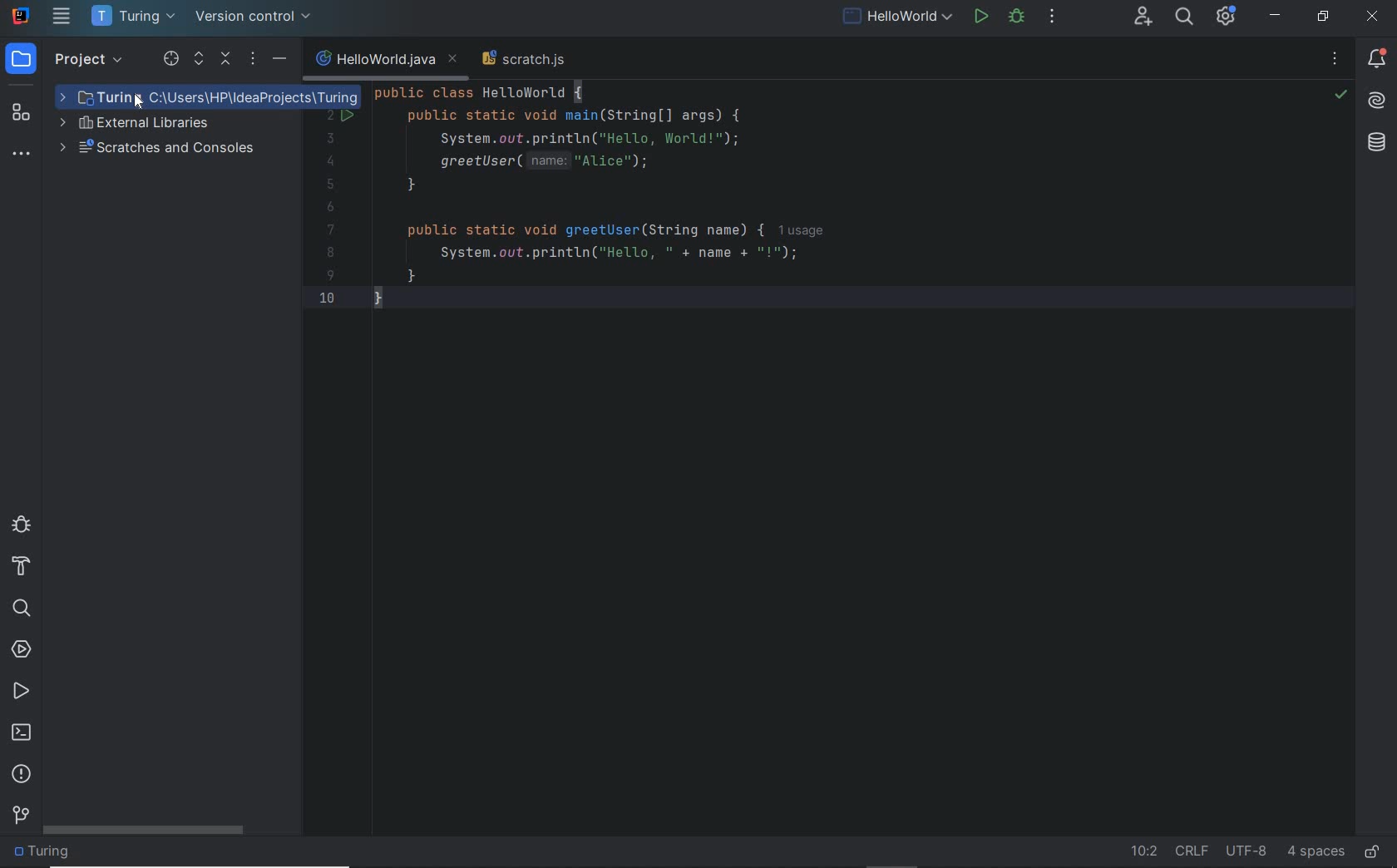  Describe the element at coordinates (21, 691) in the screenshot. I see `run` at that location.